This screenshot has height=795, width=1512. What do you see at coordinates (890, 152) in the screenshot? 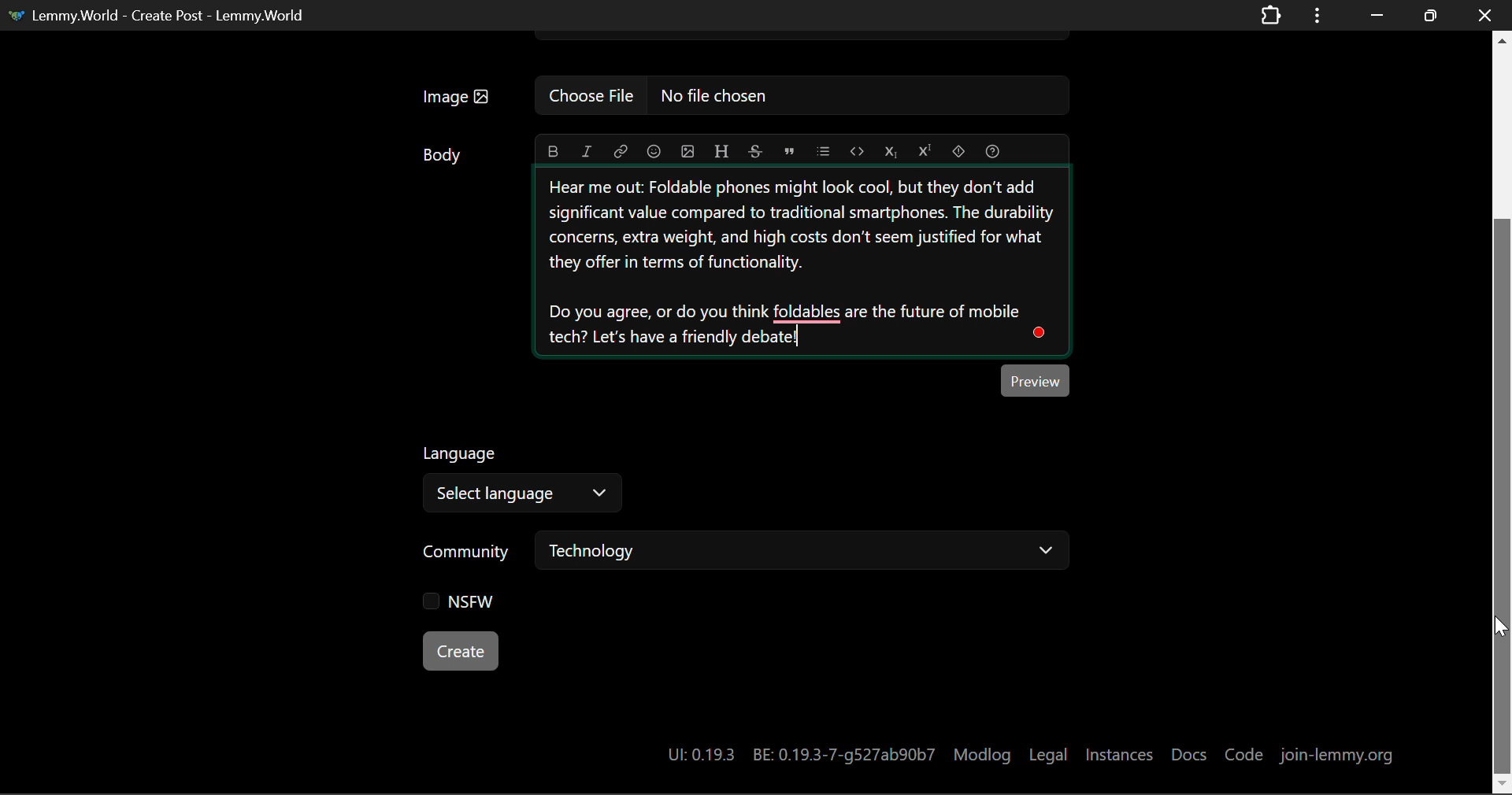
I see `subscript` at bounding box center [890, 152].